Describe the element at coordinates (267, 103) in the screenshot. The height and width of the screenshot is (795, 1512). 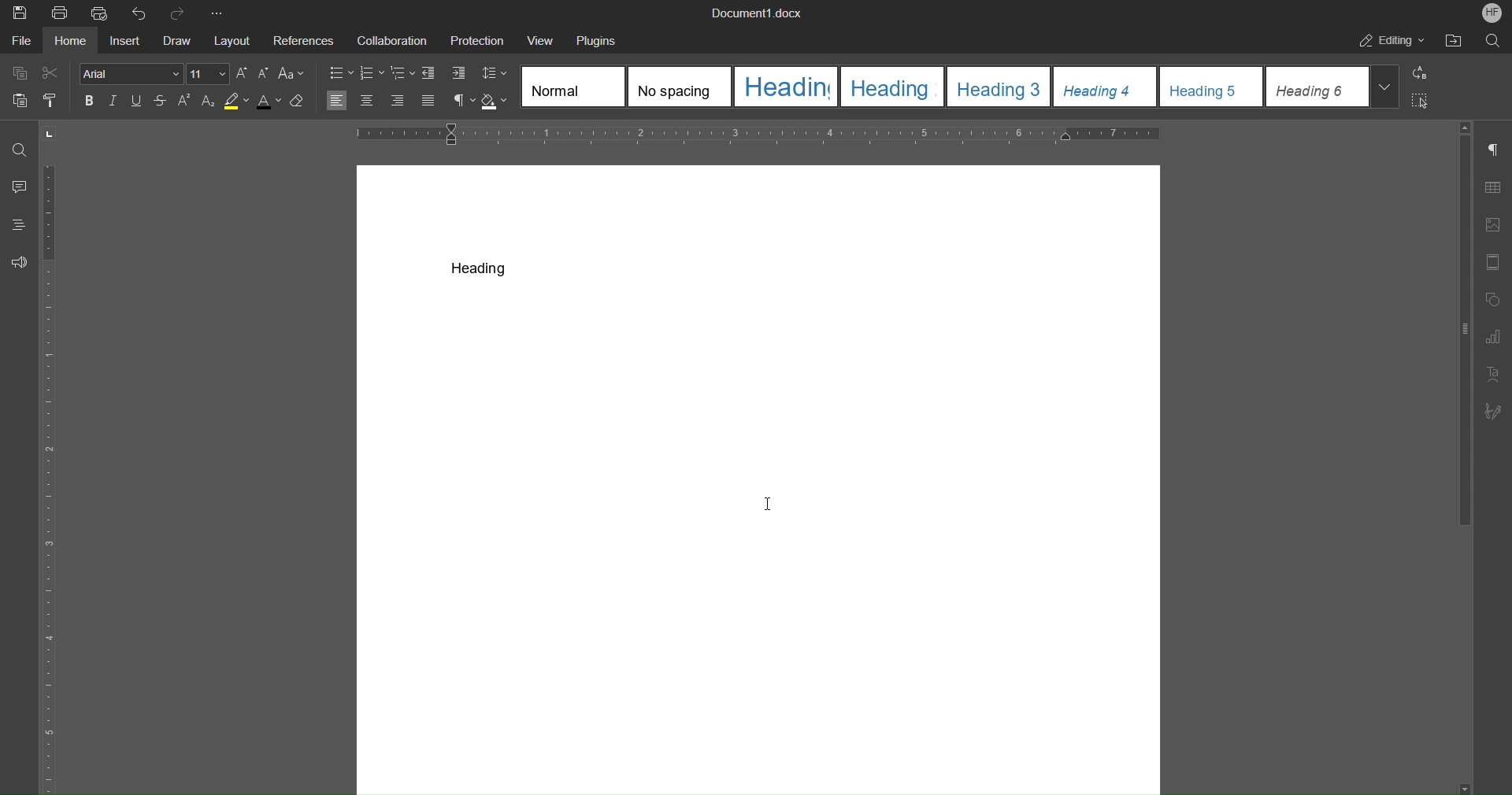
I see `Text Color` at that location.